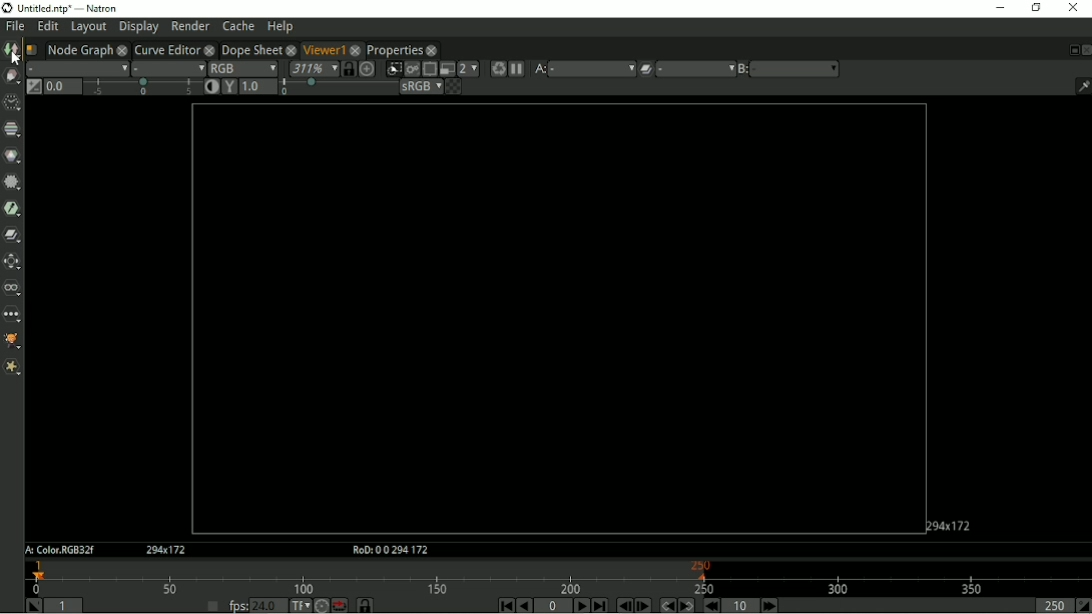  Describe the element at coordinates (166, 49) in the screenshot. I see `Curve Editor` at that location.